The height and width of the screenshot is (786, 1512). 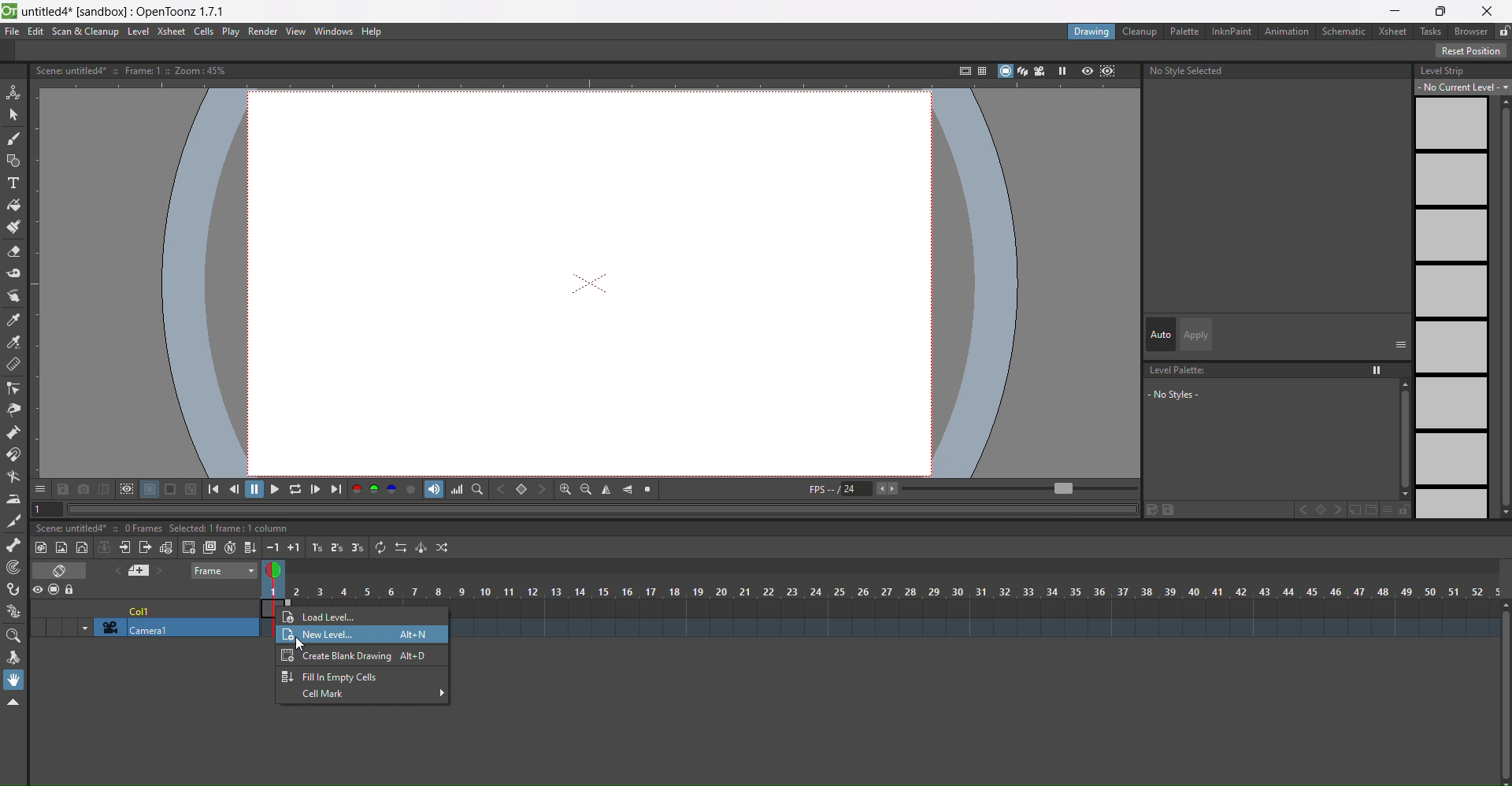 What do you see at coordinates (1396, 510) in the screenshot?
I see `options and lock` at bounding box center [1396, 510].